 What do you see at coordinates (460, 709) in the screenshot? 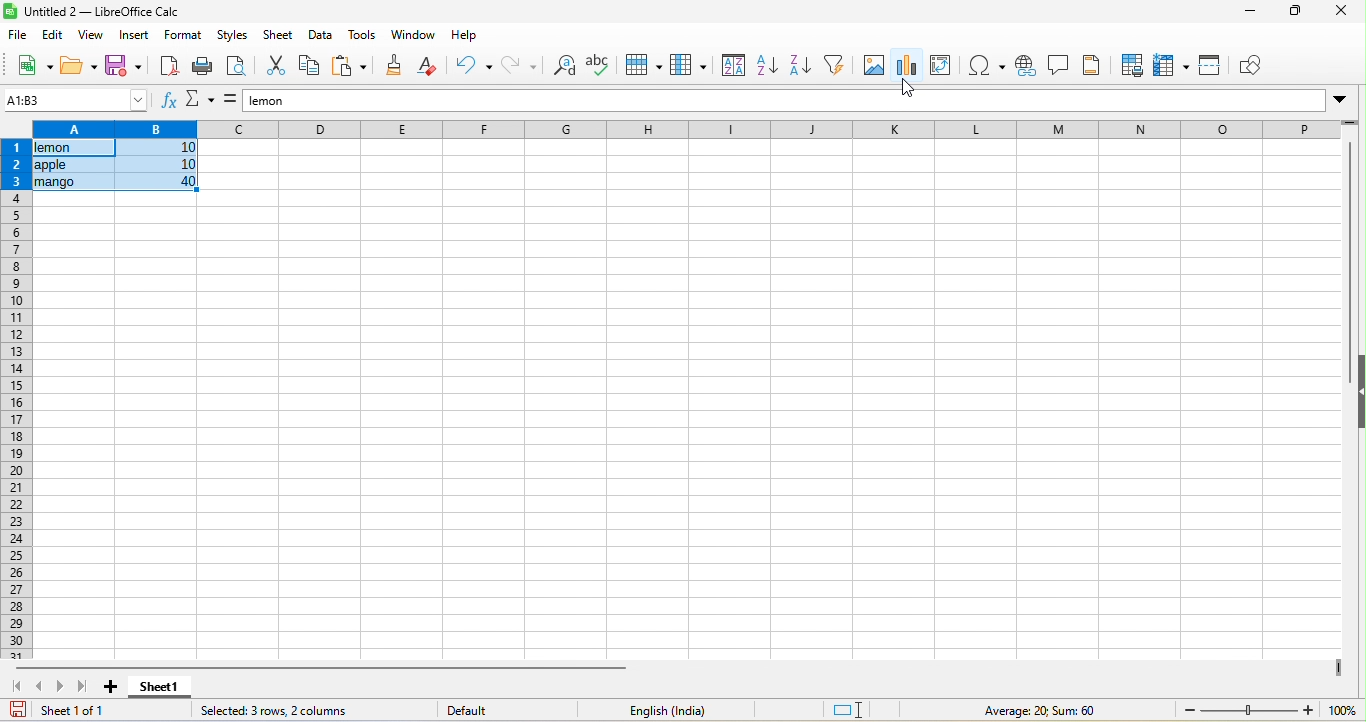
I see `default` at bounding box center [460, 709].